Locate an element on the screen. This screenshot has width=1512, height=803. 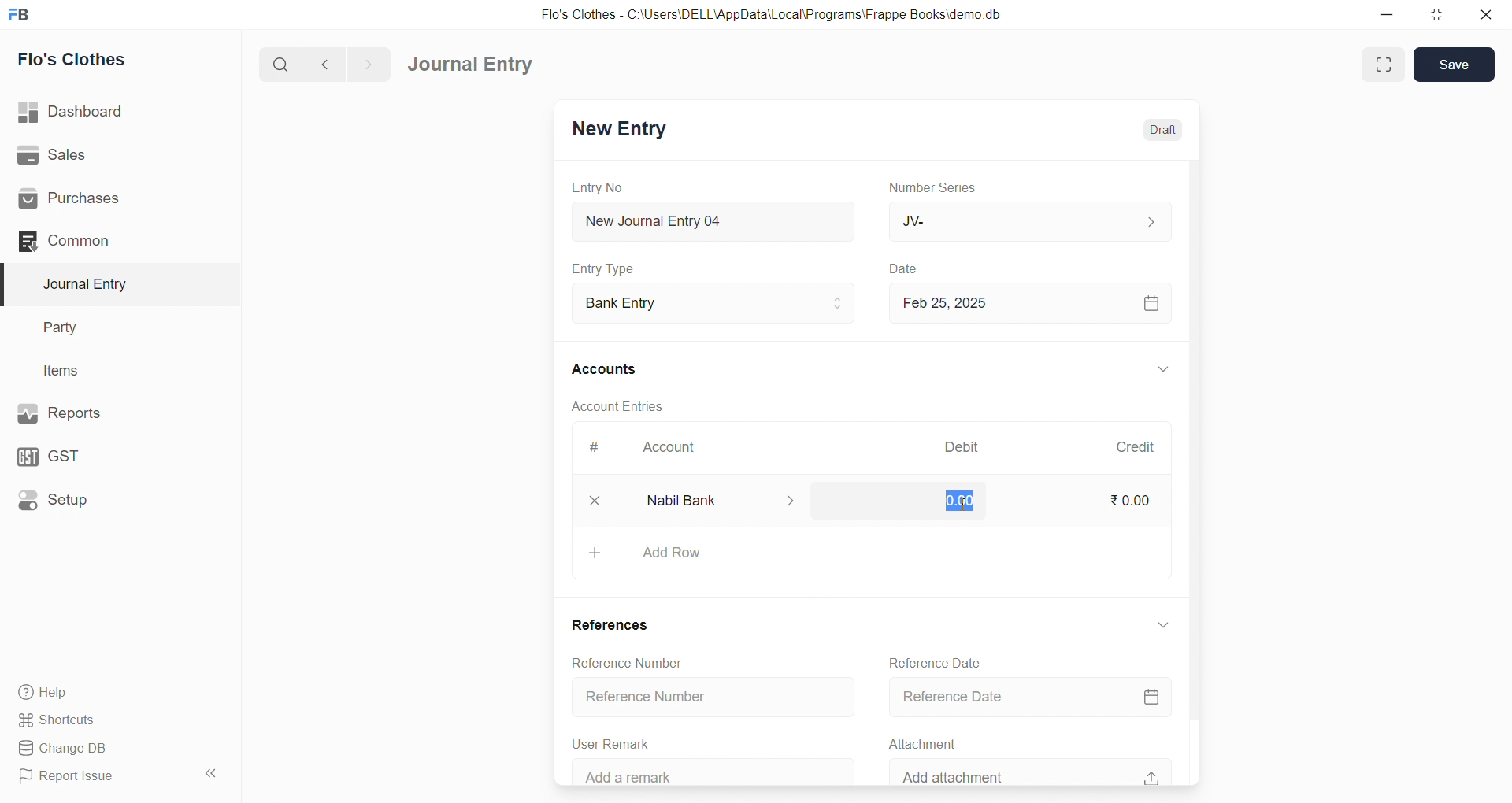
Journal Entry is located at coordinates (476, 65).